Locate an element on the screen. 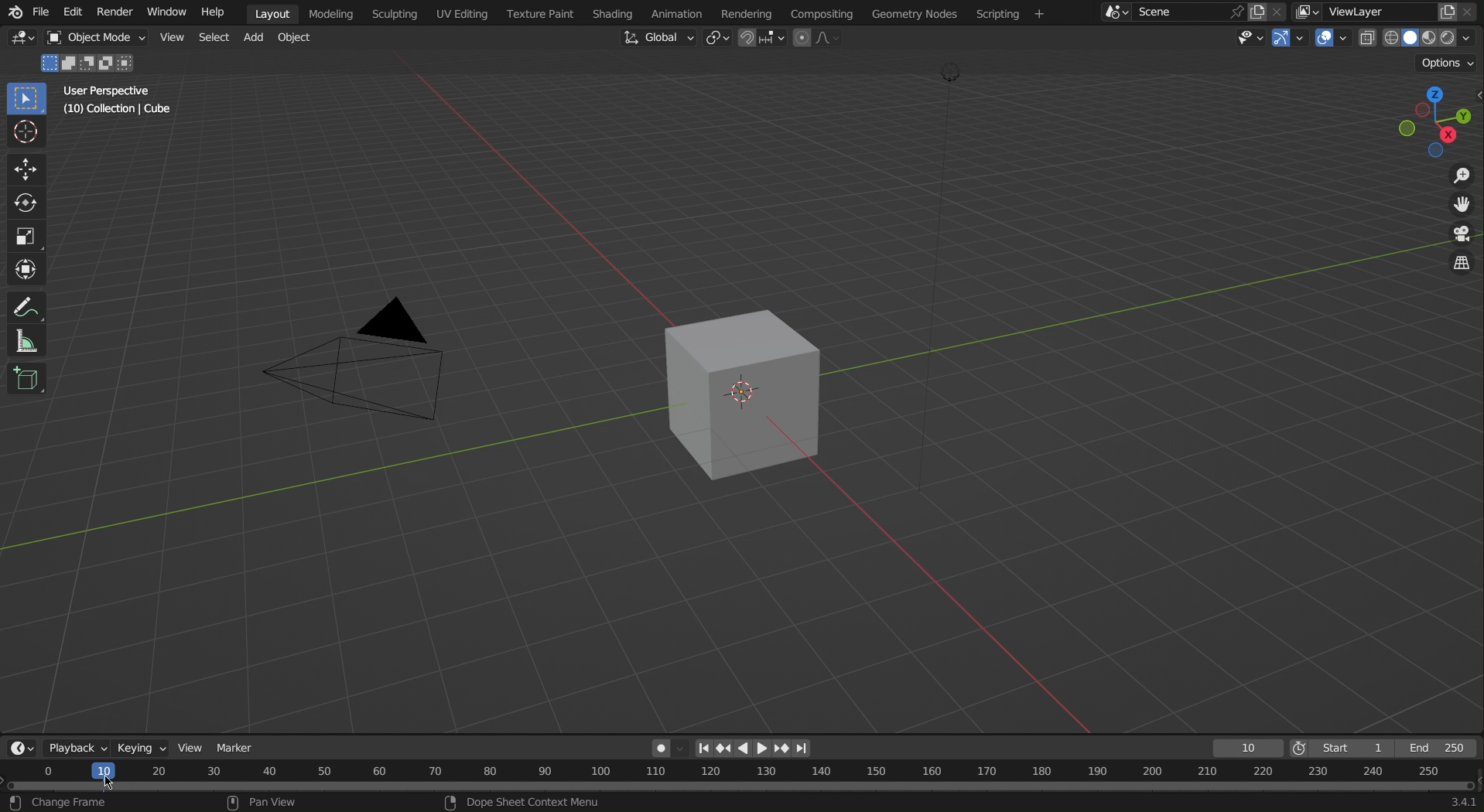 Image resolution: width=1484 pixels, height=812 pixels. Close is located at coordinates (1278, 12).